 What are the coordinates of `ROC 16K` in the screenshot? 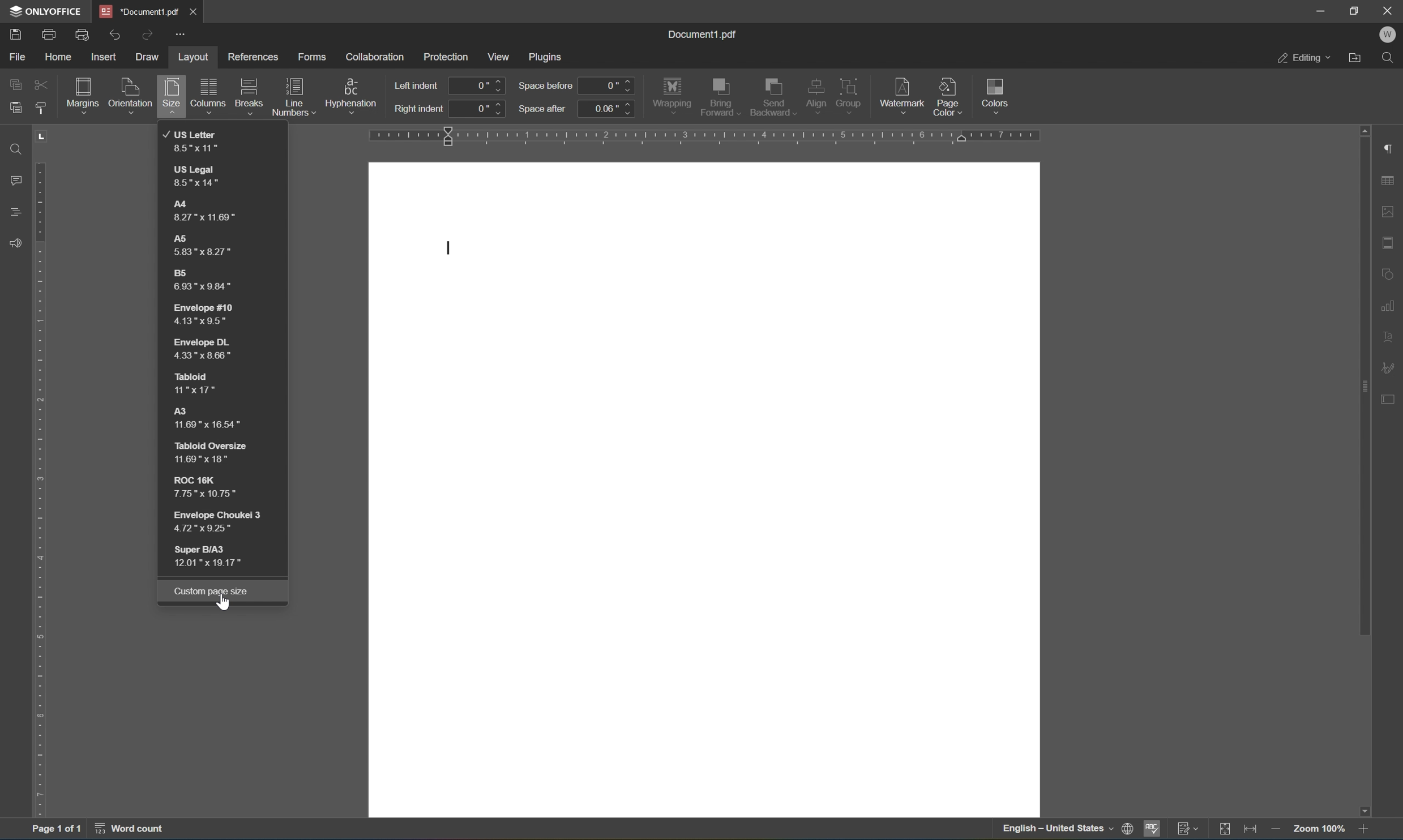 It's located at (212, 486).